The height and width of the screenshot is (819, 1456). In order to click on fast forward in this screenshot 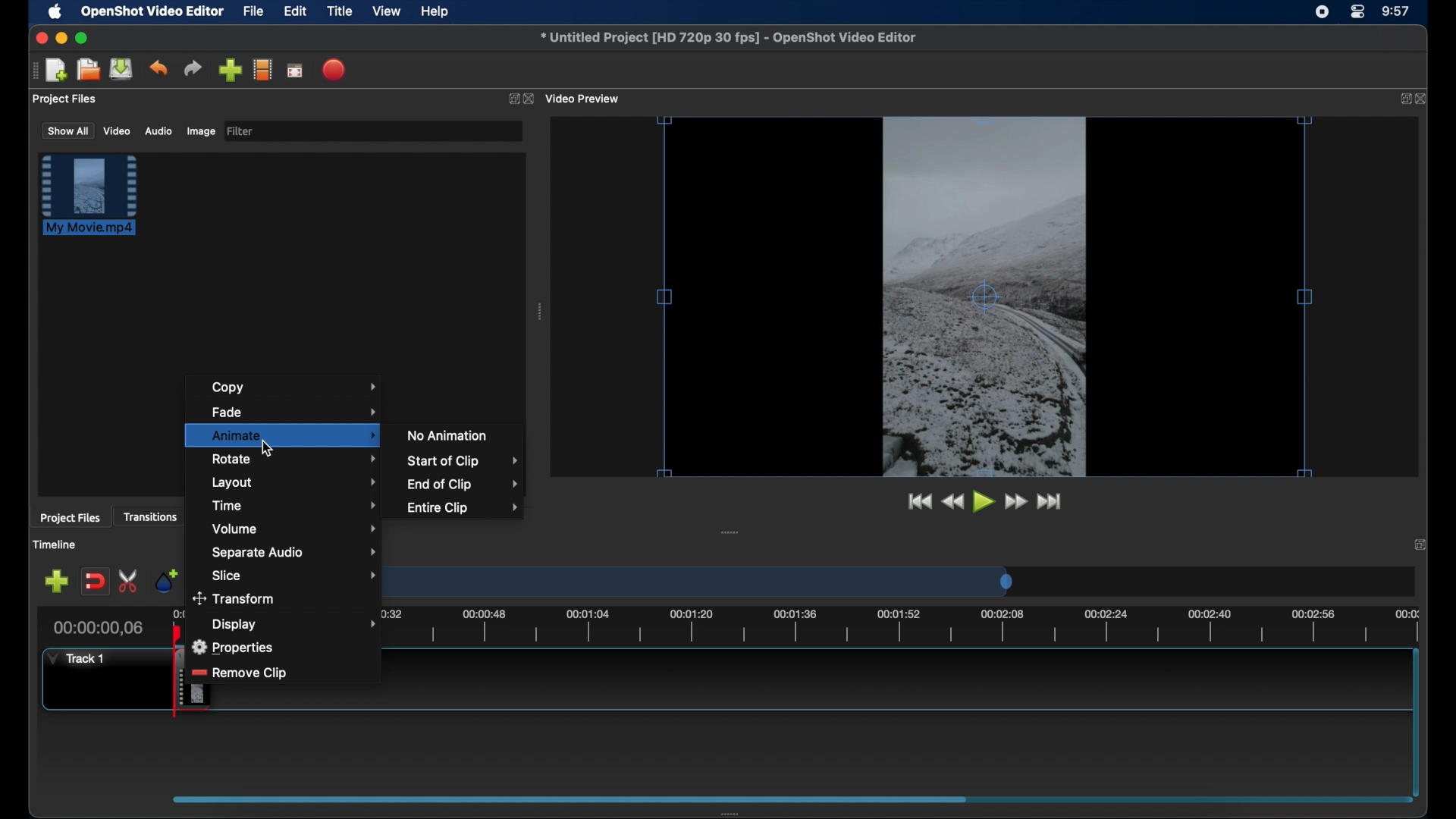, I will do `click(1017, 502)`.